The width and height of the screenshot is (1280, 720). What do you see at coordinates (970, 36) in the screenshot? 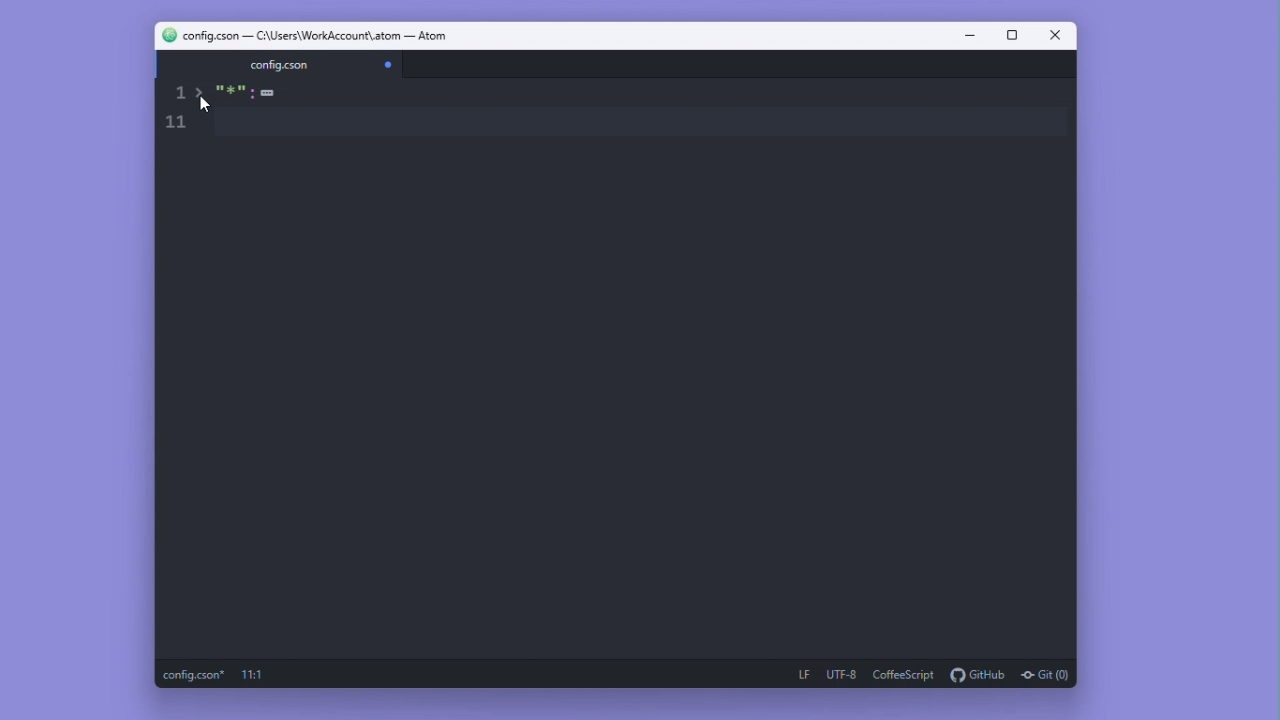
I see `Minimise` at bounding box center [970, 36].